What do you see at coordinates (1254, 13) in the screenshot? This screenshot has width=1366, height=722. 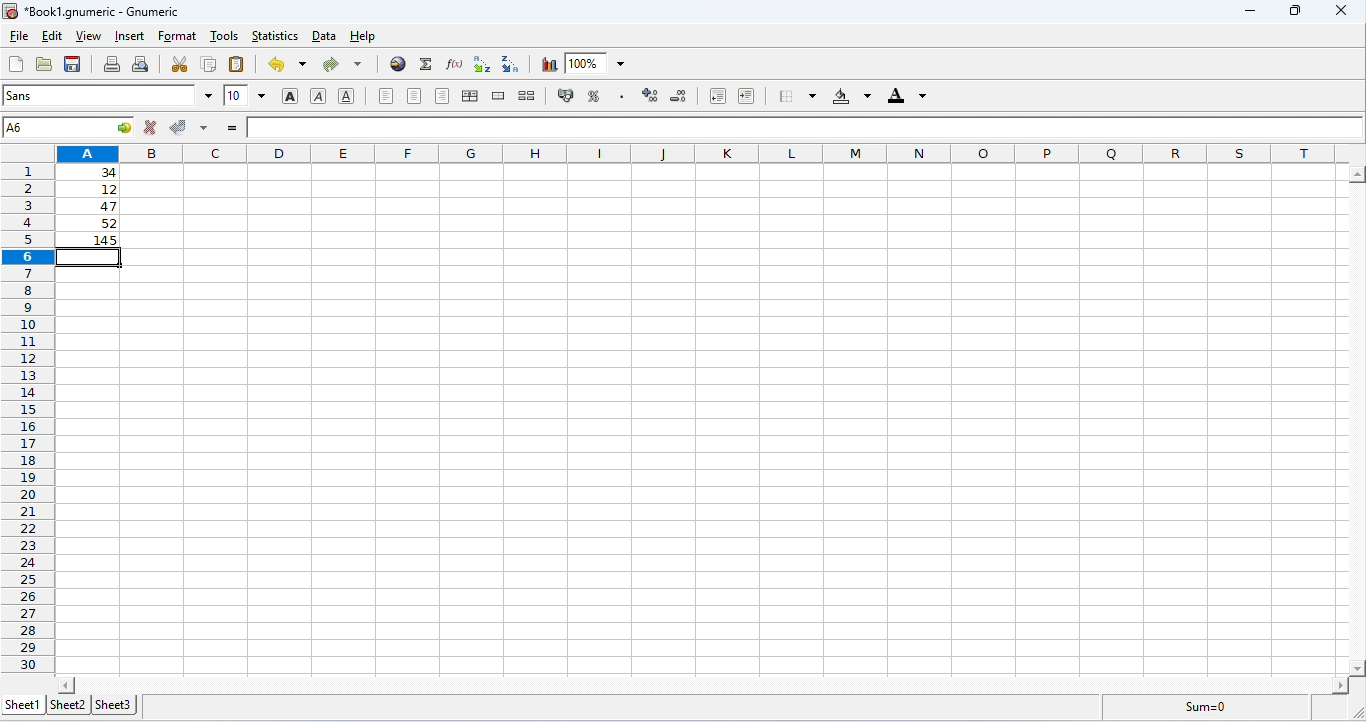 I see `minimize` at bounding box center [1254, 13].